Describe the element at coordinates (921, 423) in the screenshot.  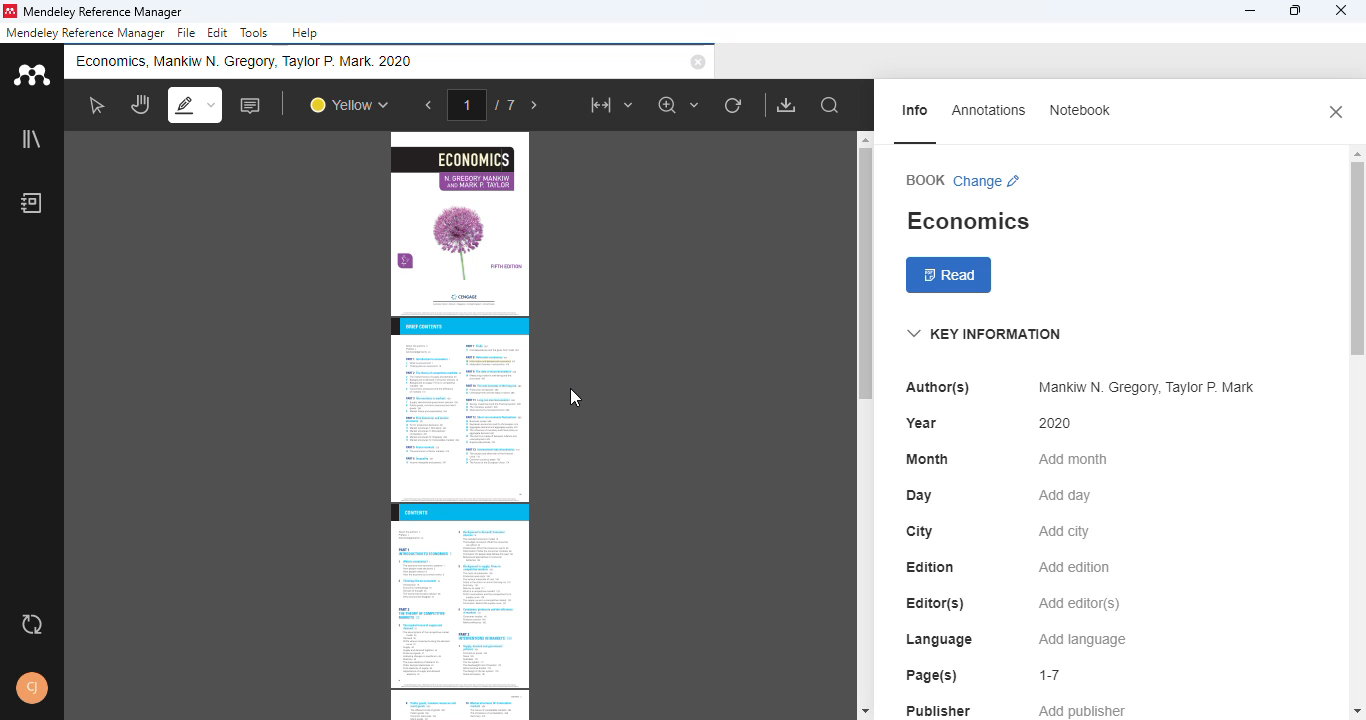
I see `year` at that location.